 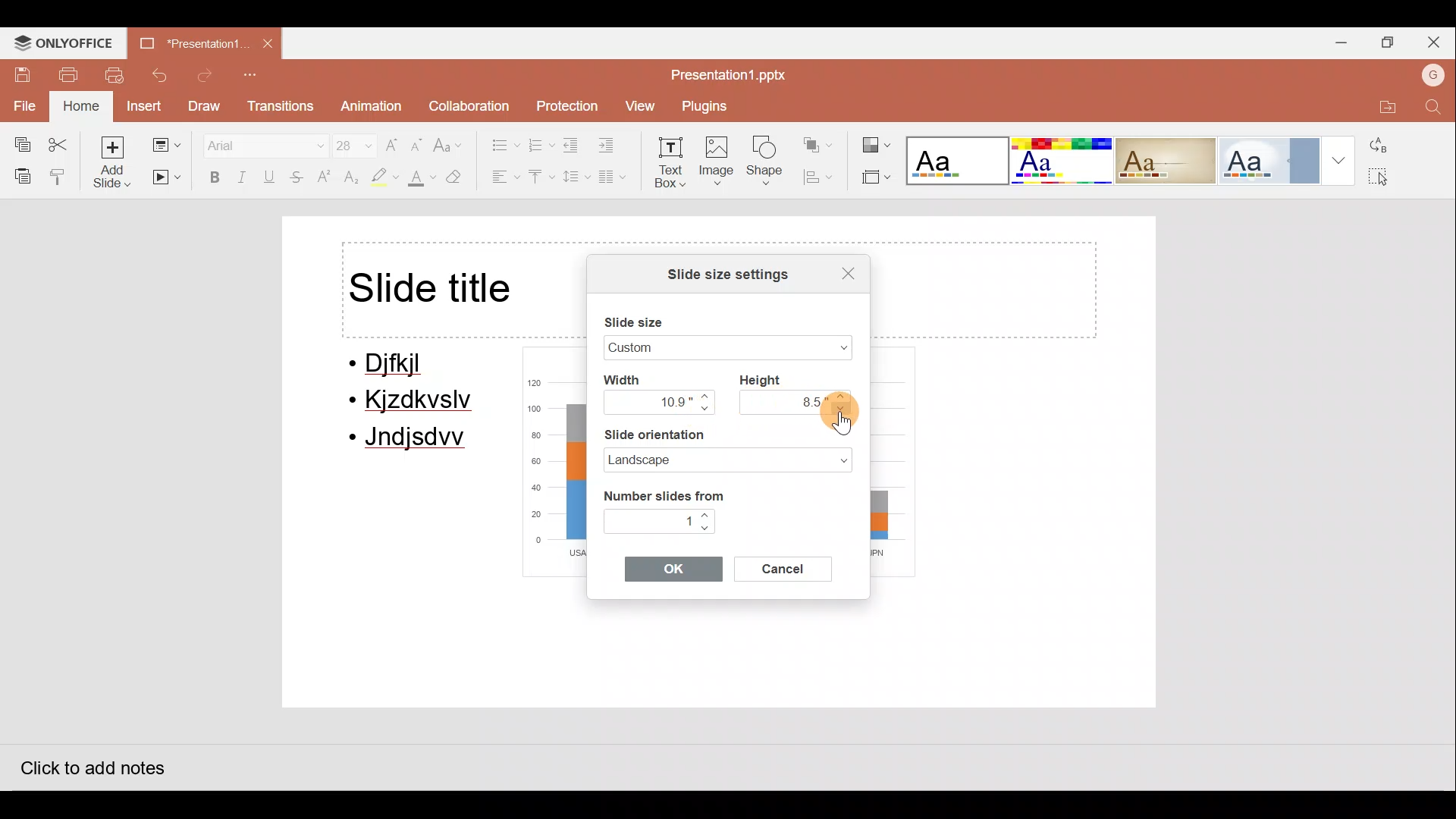 What do you see at coordinates (718, 164) in the screenshot?
I see `Image` at bounding box center [718, 164].